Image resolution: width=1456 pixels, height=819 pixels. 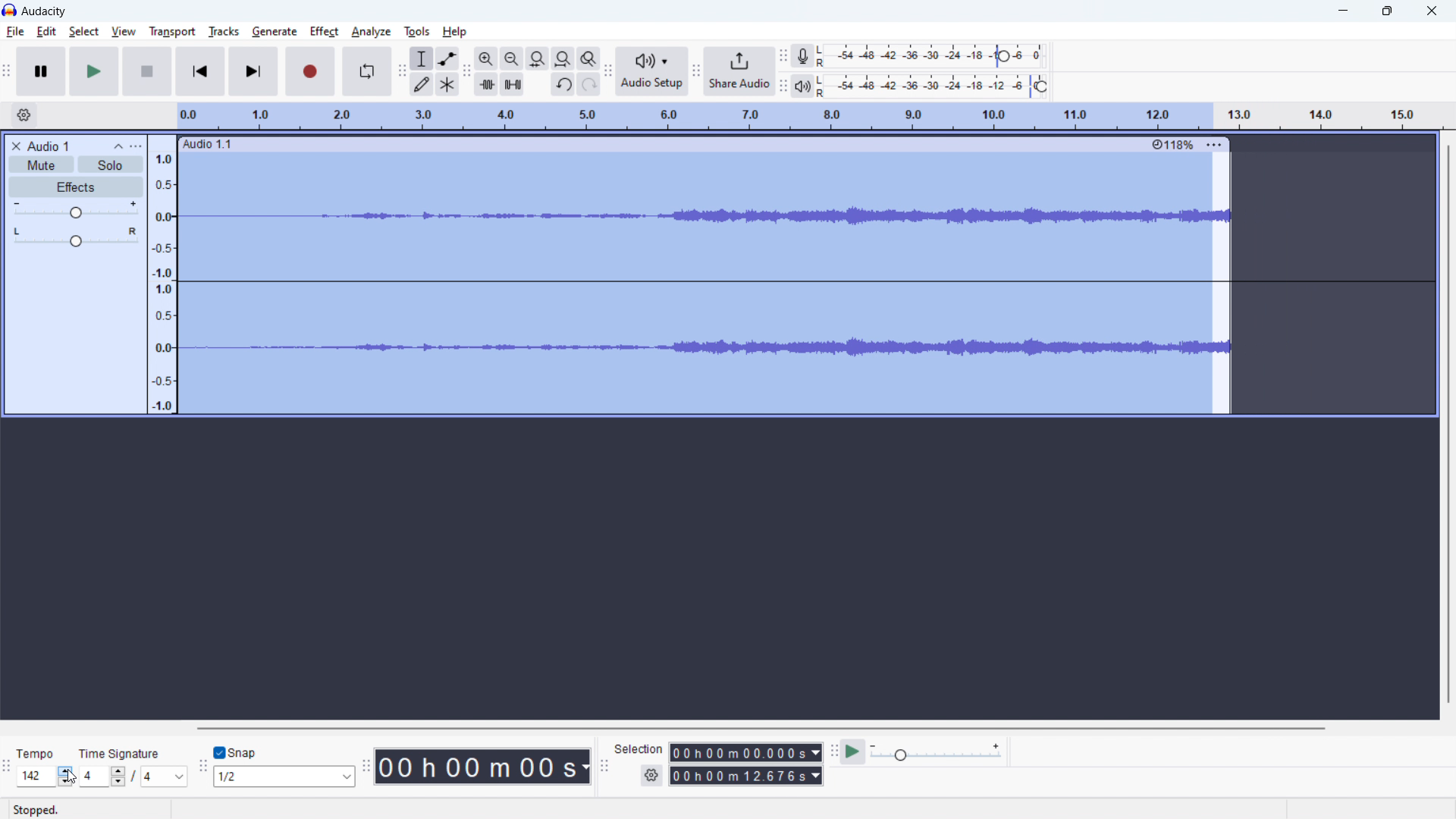 I want to click on skip to last, so click(x=255, y=71).